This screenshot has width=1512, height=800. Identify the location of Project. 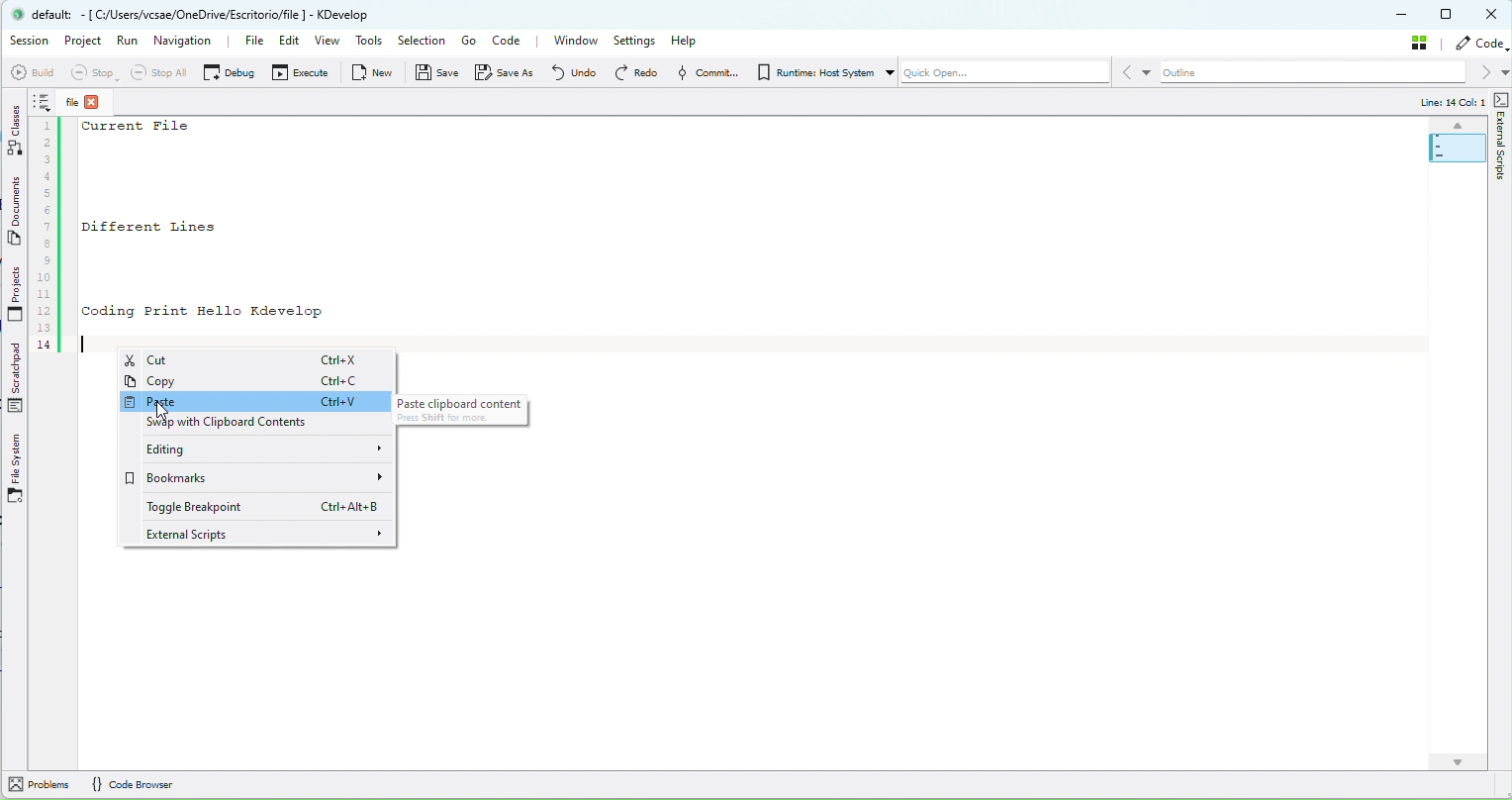
(86, 43).